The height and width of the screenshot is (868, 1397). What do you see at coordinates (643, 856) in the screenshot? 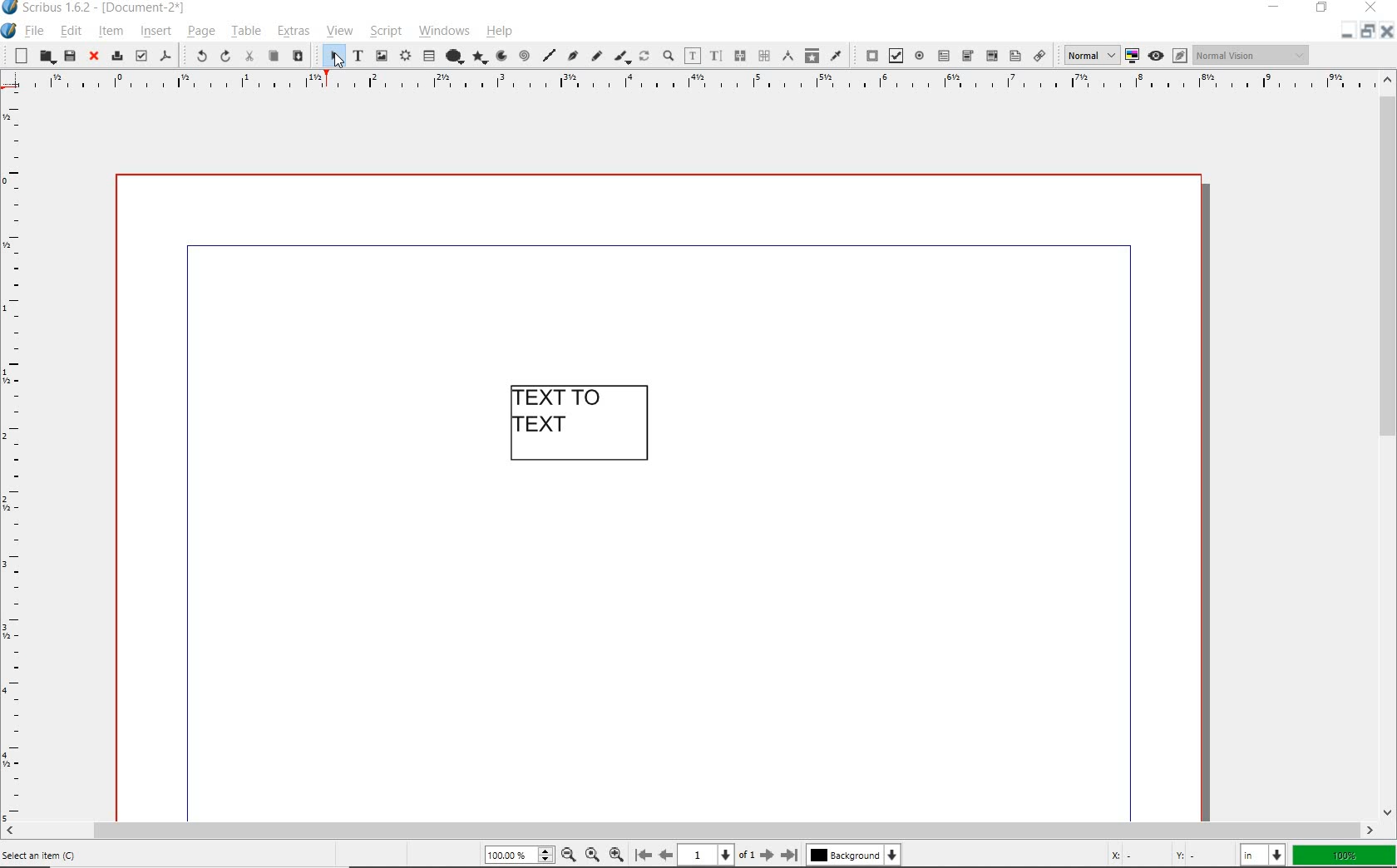
I see `move to first` at bounding box center [643, 856].